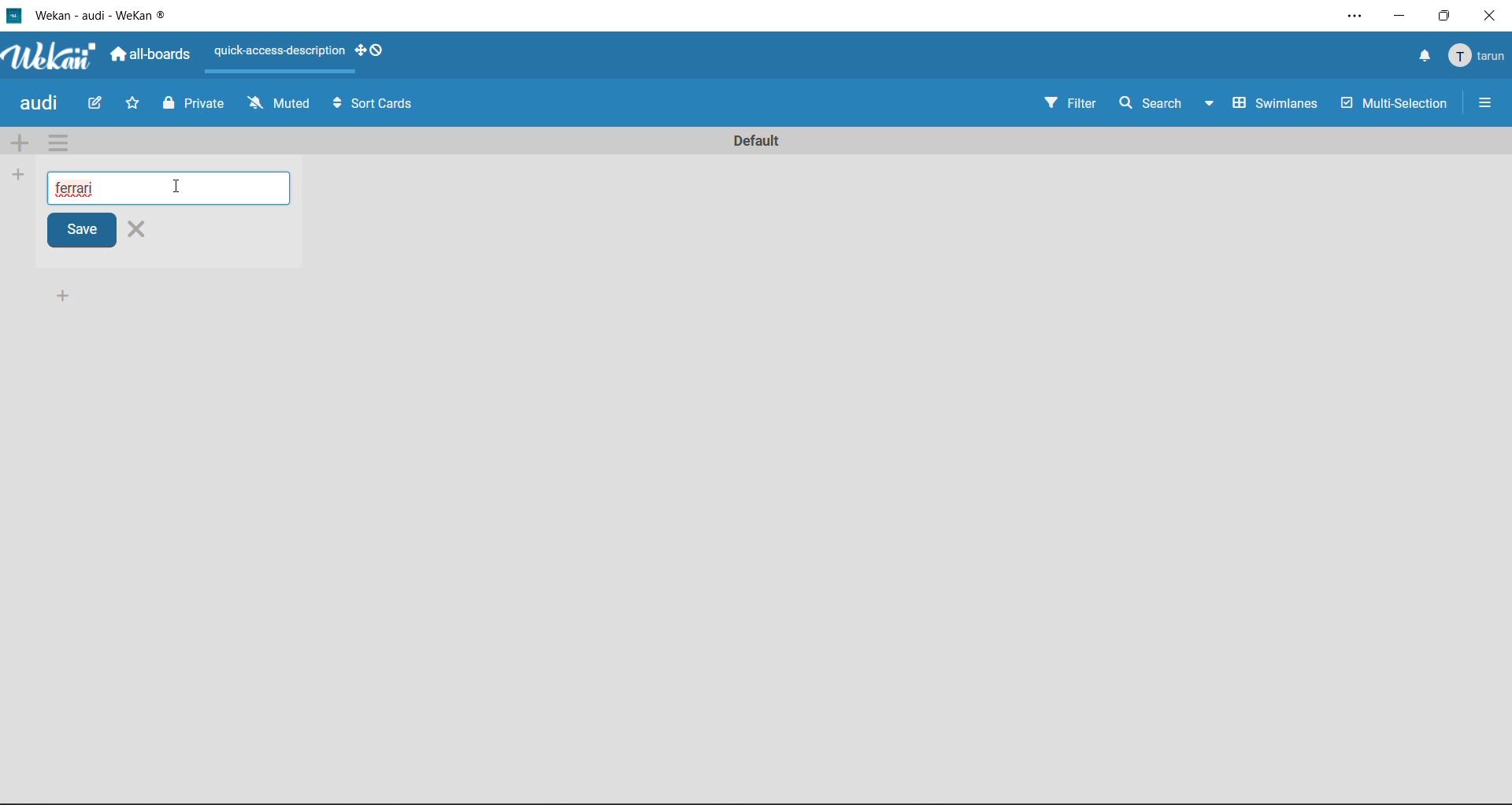  I want to click on app logo Wekan, so click(50, 57).